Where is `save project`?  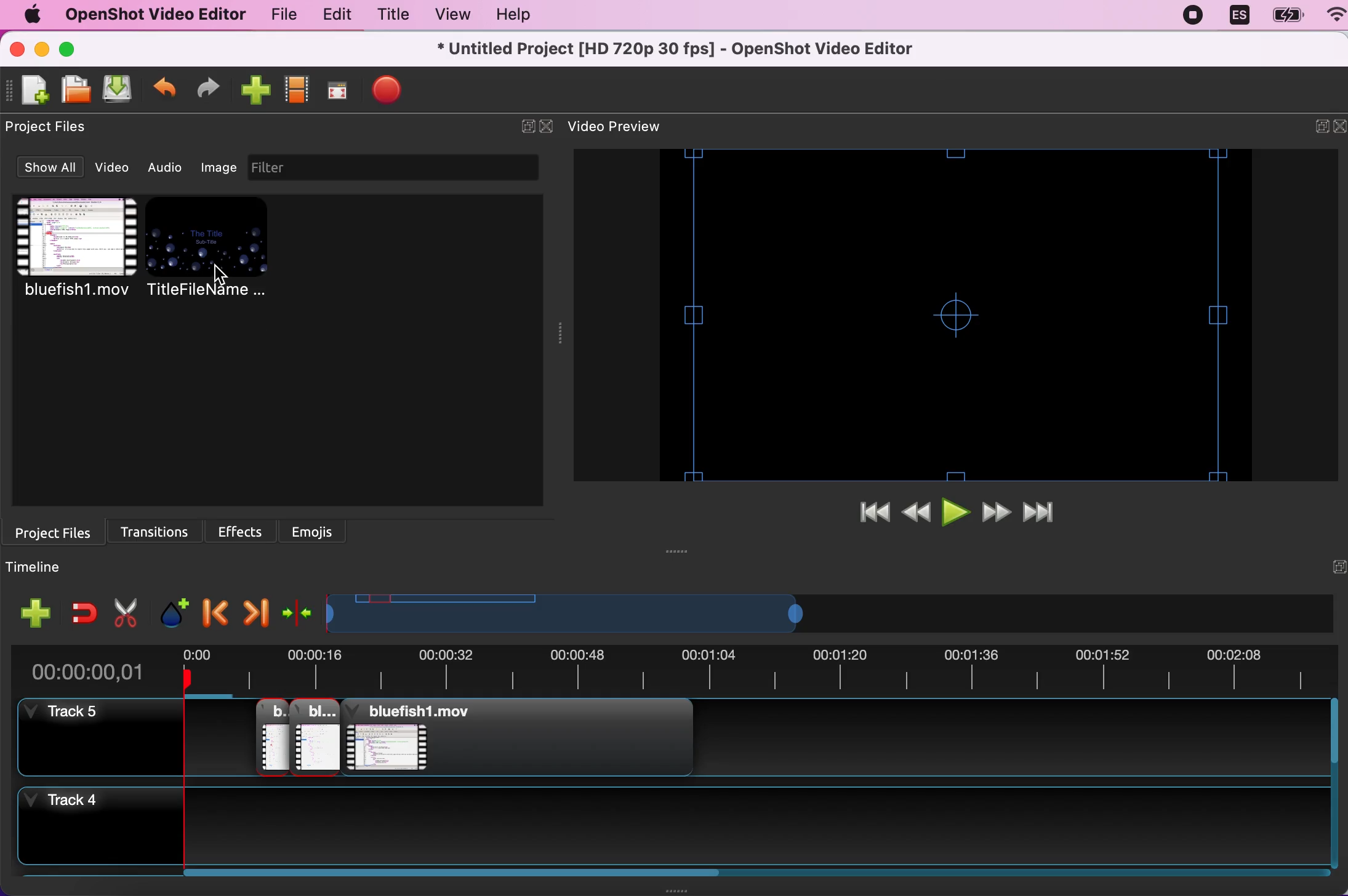
save project is located at coordinates (116, 90).